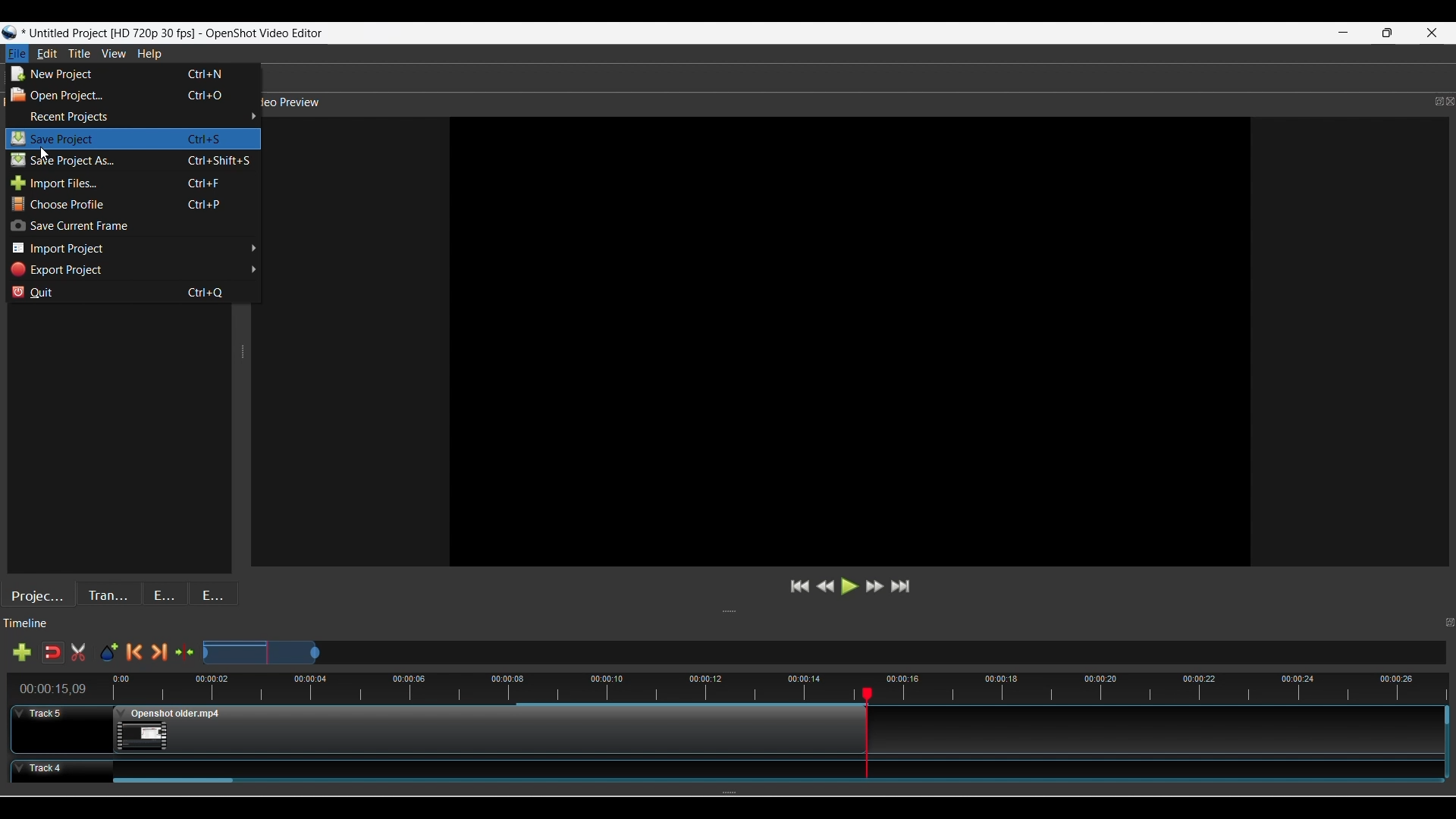 This screenshot has height=819, width=1456. What do you see at coordinates (1448, 714) in the screenshot?
I see `Vertical slide bar` at bounding box center [1448, 714].